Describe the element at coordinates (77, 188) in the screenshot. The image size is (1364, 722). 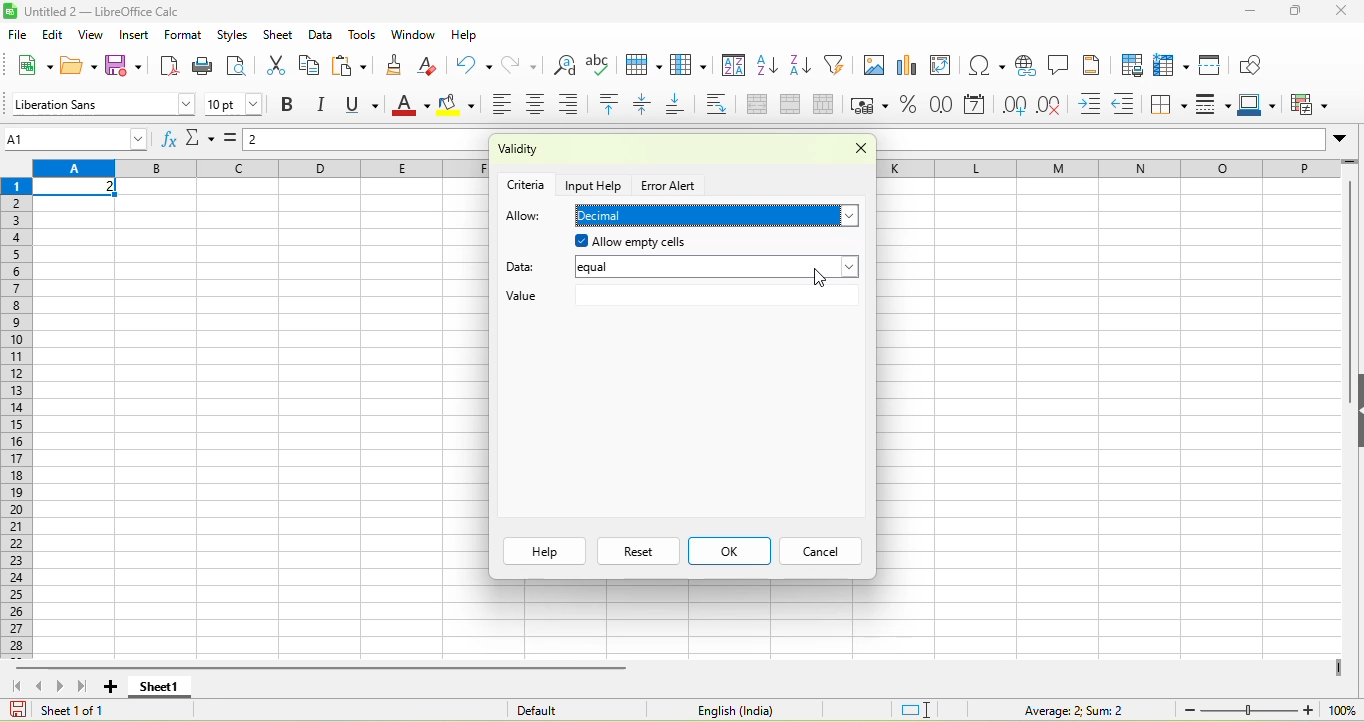
I see `selected cell` at that location.